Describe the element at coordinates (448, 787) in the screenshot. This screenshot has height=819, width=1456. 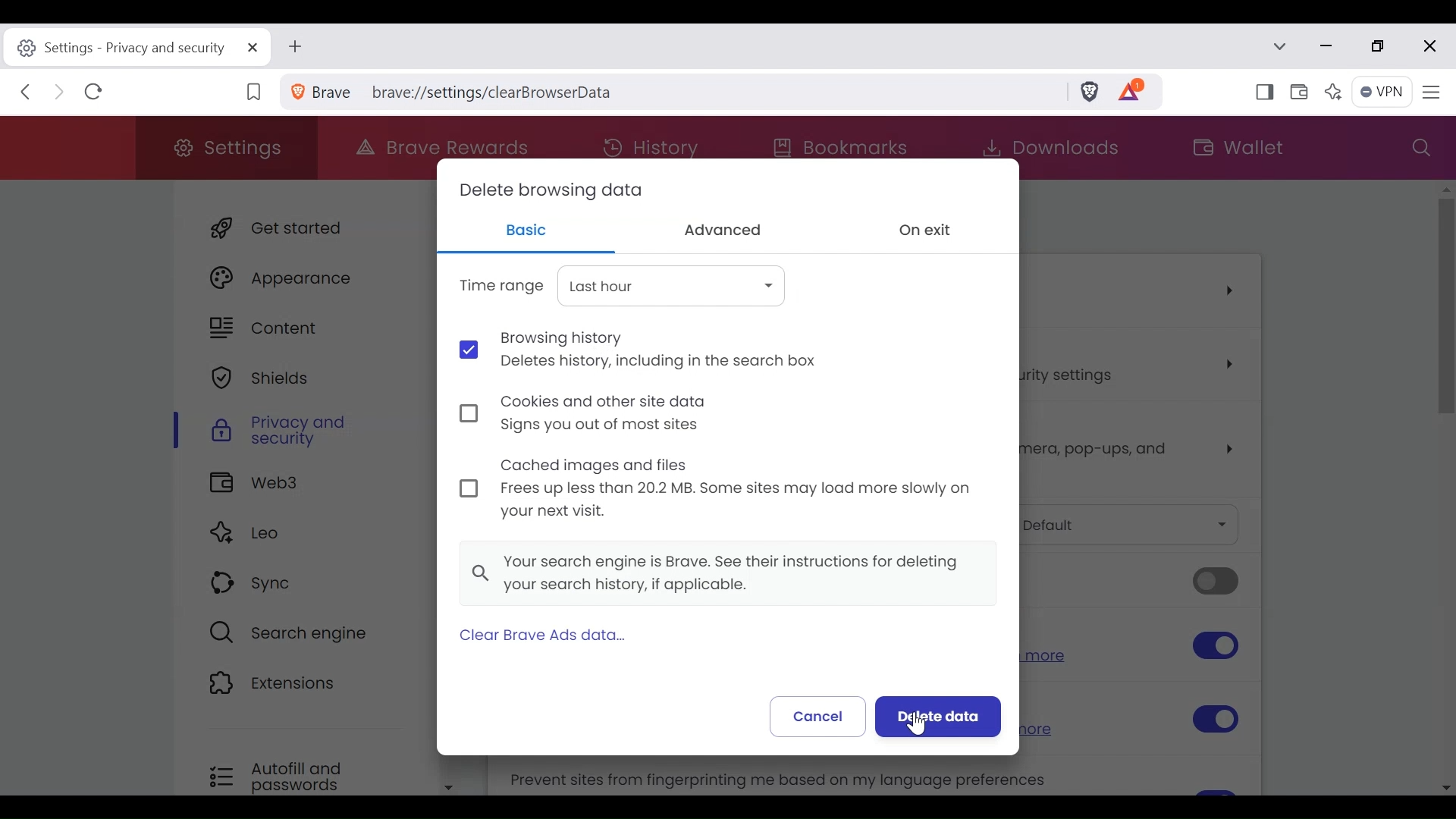
I see `Scroll down` at that location.